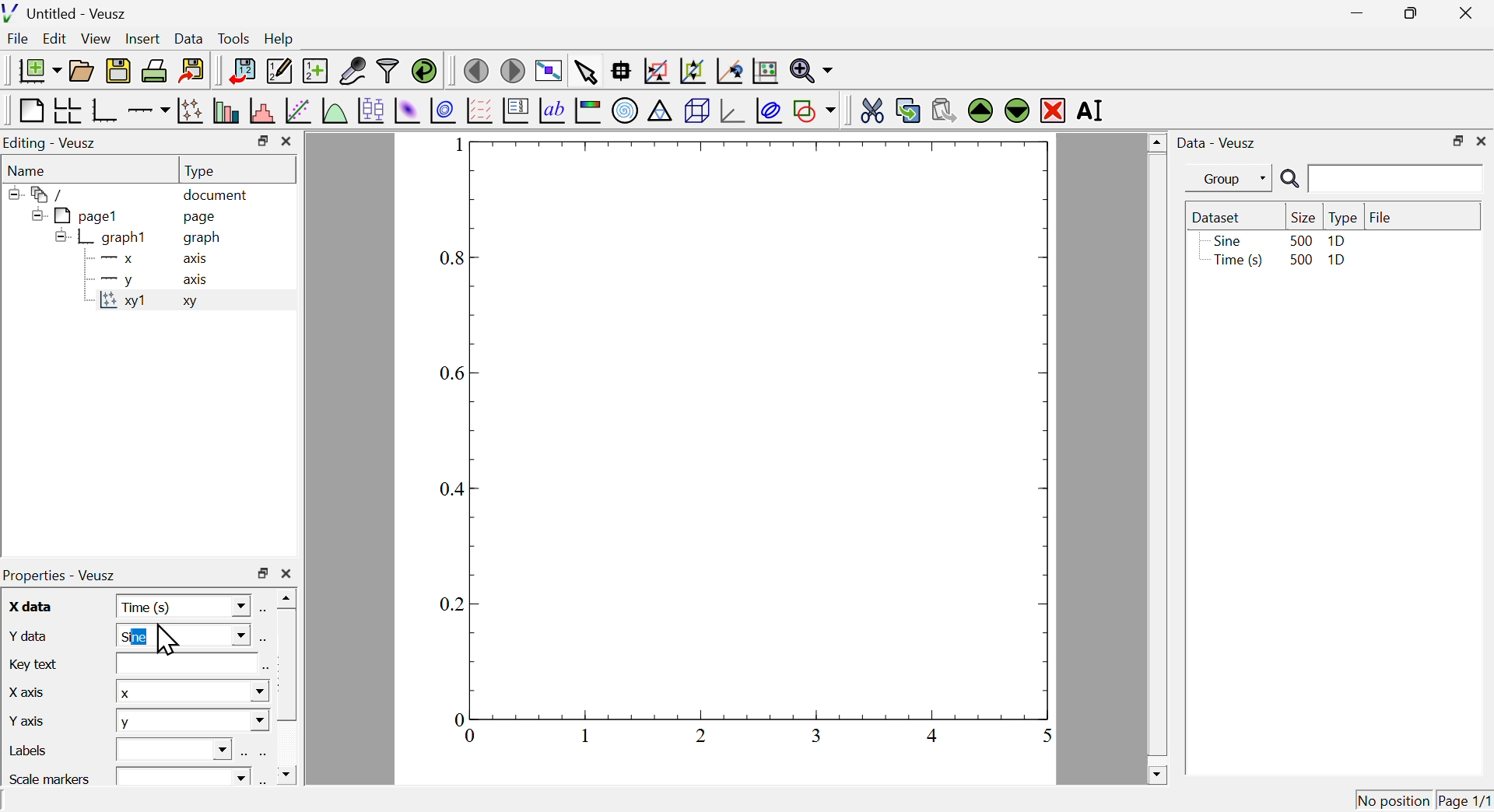 The height and width of the screenshot is (812, 1494). Describe the element at coordinates (1221, 179) in the screenshot. I see `group` at that location.